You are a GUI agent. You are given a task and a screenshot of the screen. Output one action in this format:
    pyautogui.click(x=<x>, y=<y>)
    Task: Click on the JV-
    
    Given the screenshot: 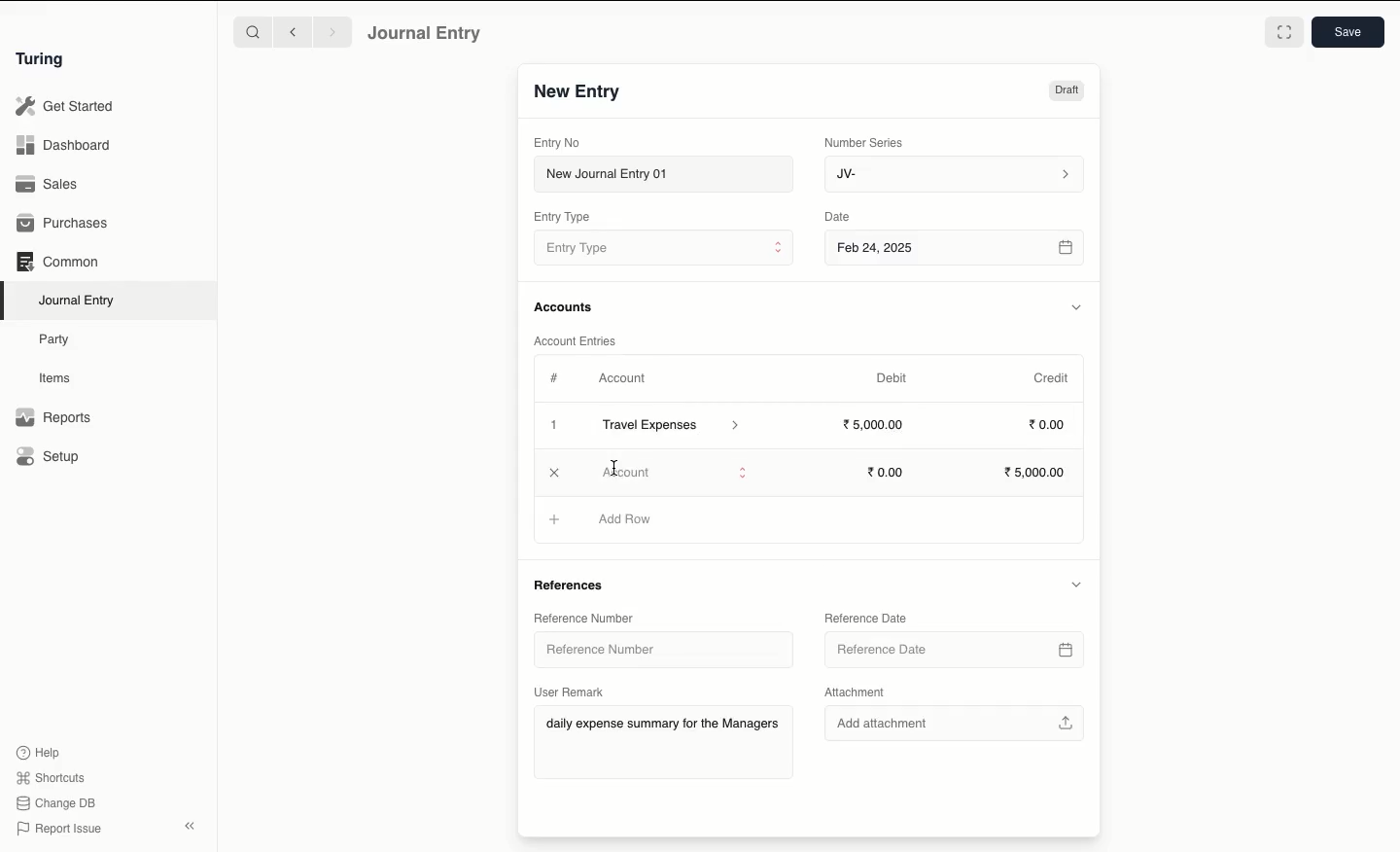 What is the action you would take?
    pyautogui.click(x=956, y=175)
    